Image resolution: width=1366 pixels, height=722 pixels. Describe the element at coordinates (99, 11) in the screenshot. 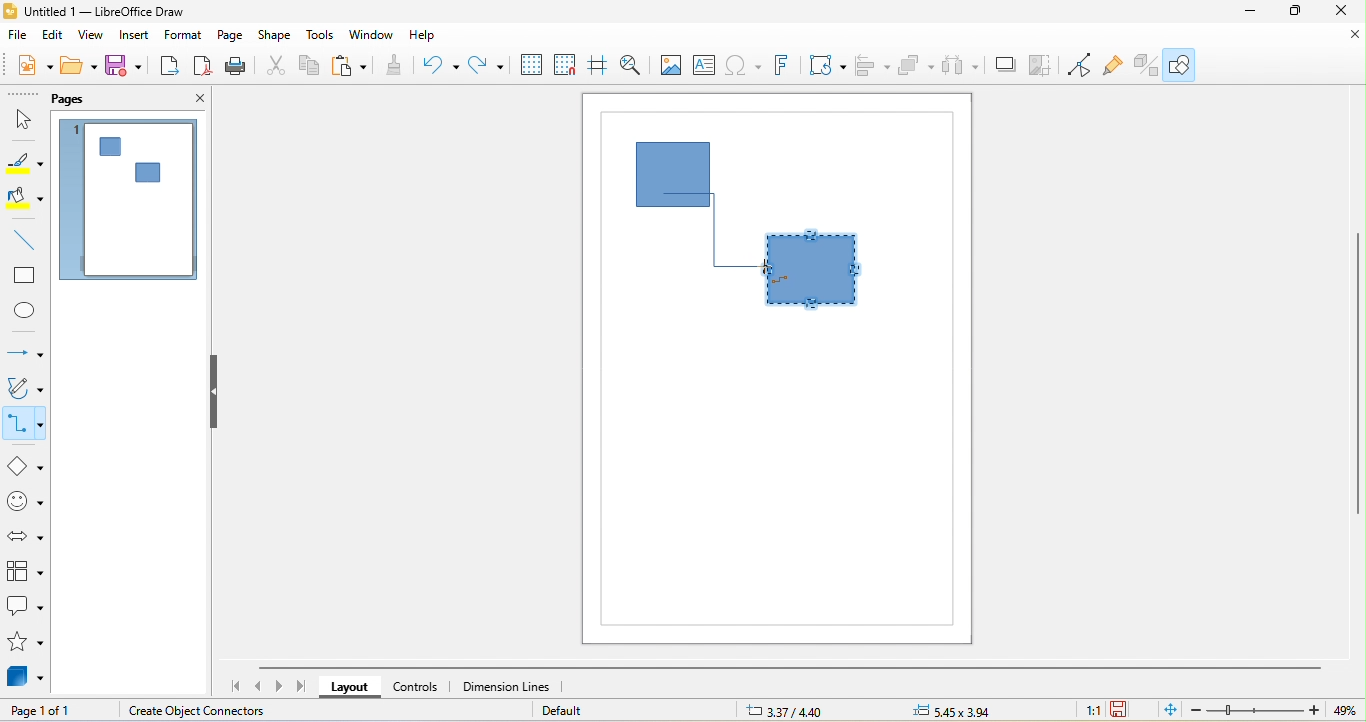

I see `untitled 1-libre office draw` at that location.